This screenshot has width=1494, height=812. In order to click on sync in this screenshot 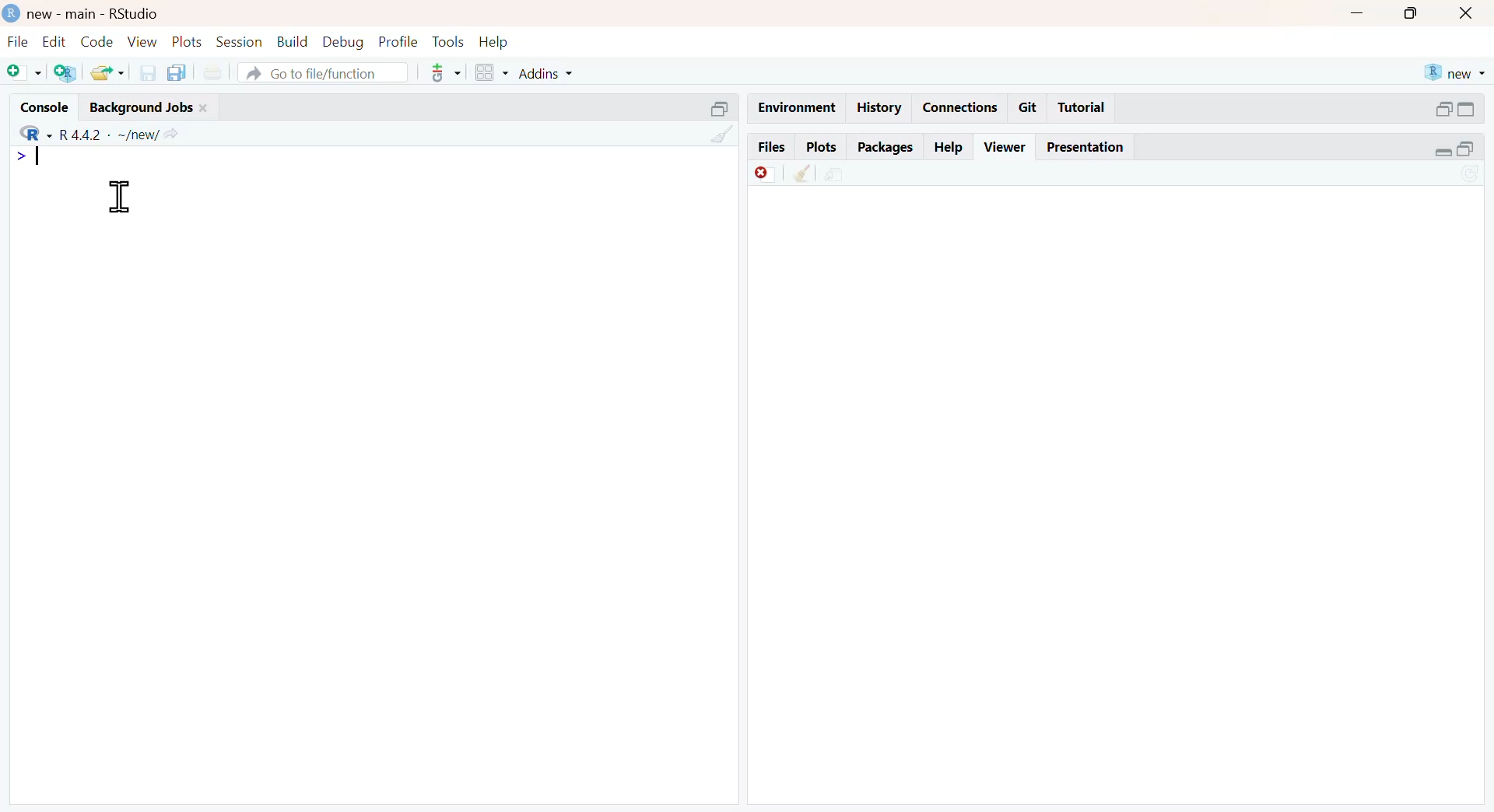, I will do `click(1470, 173)`.